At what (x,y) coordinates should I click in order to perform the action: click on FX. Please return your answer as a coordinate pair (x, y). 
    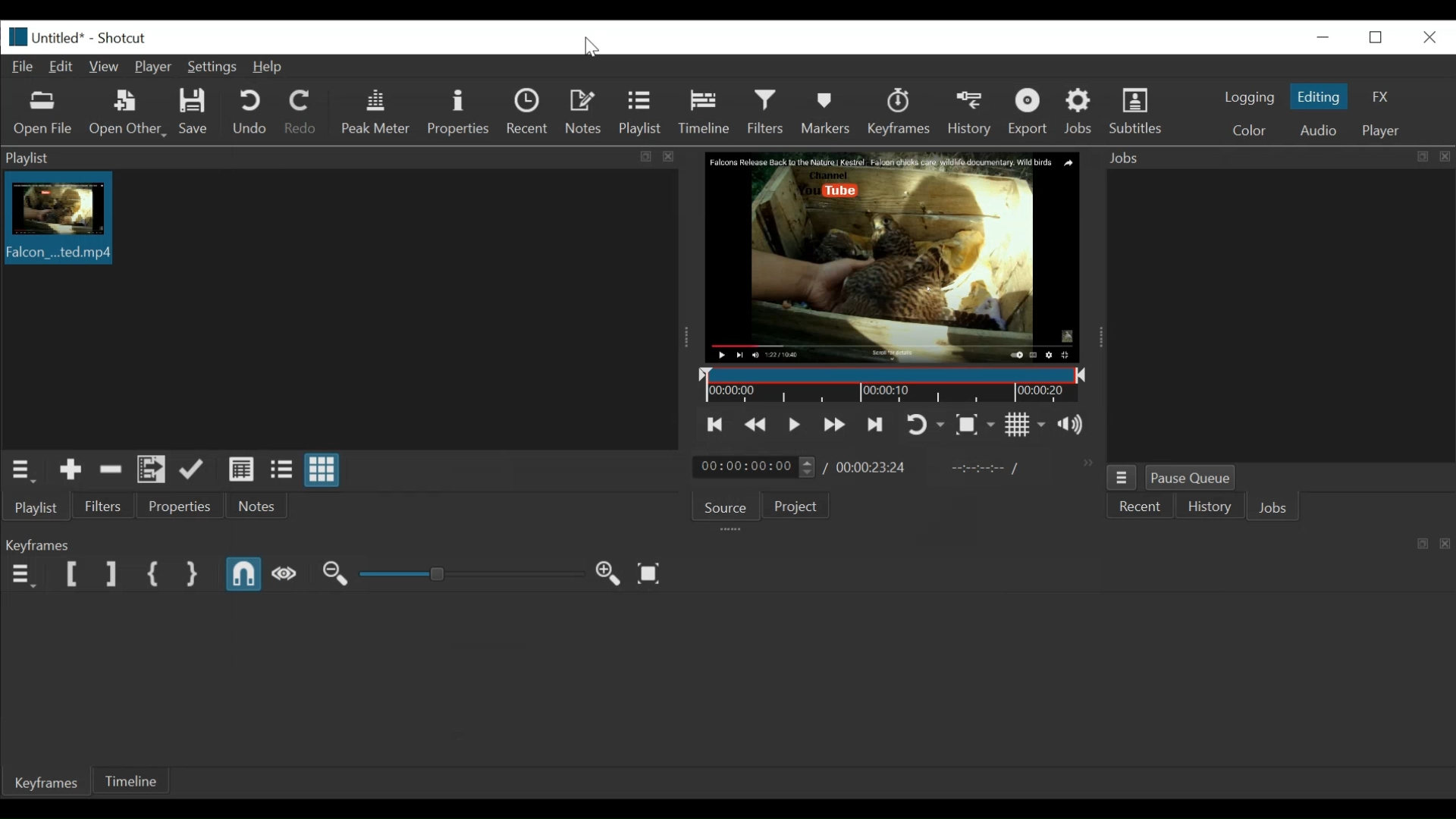
    Looking at the image, I should click on (1377, 96).